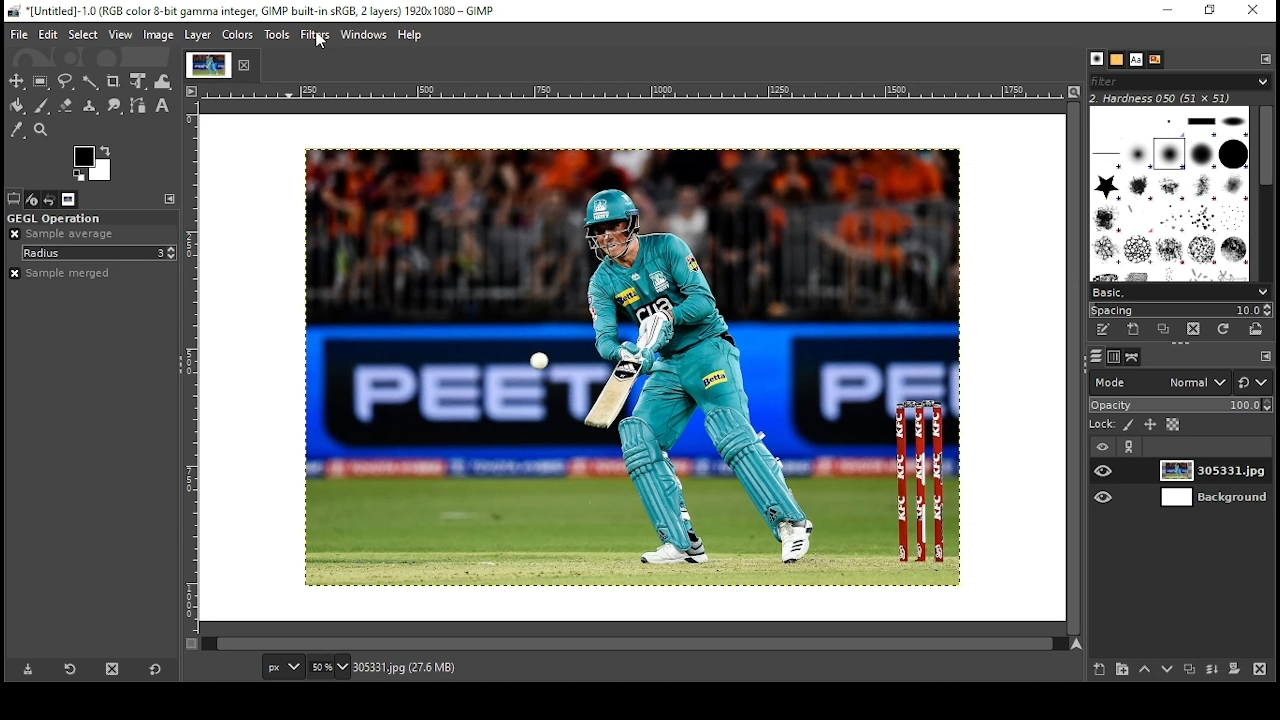 The image size is (1280, 720). Describe the element at coordinates (254, 11) in the screenshot. I see `icon and filename` at that location.